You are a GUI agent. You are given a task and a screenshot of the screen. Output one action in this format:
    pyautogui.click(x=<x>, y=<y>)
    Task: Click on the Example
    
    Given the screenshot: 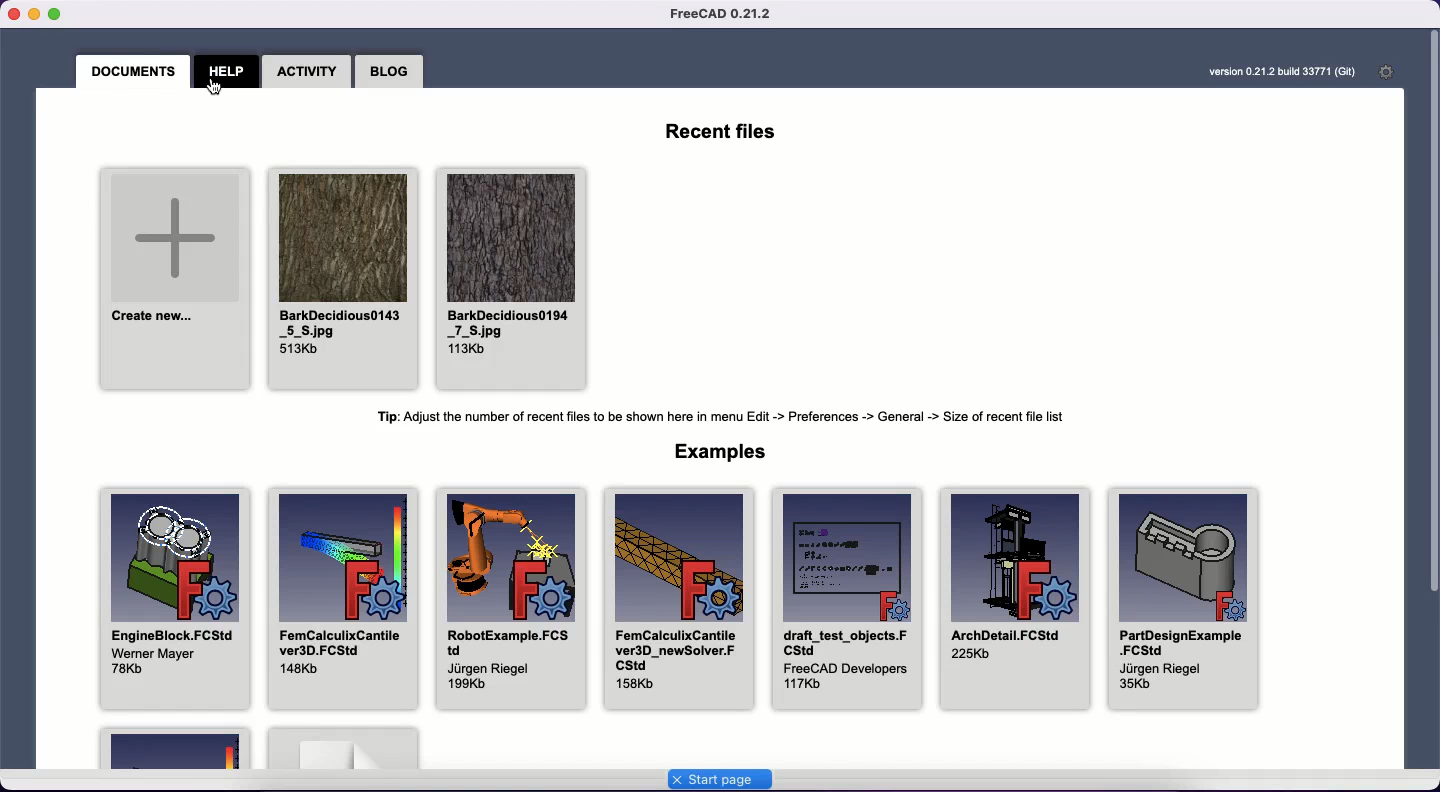 What is the action you would take?
    pyautogui.click(x=177, y=747)
    